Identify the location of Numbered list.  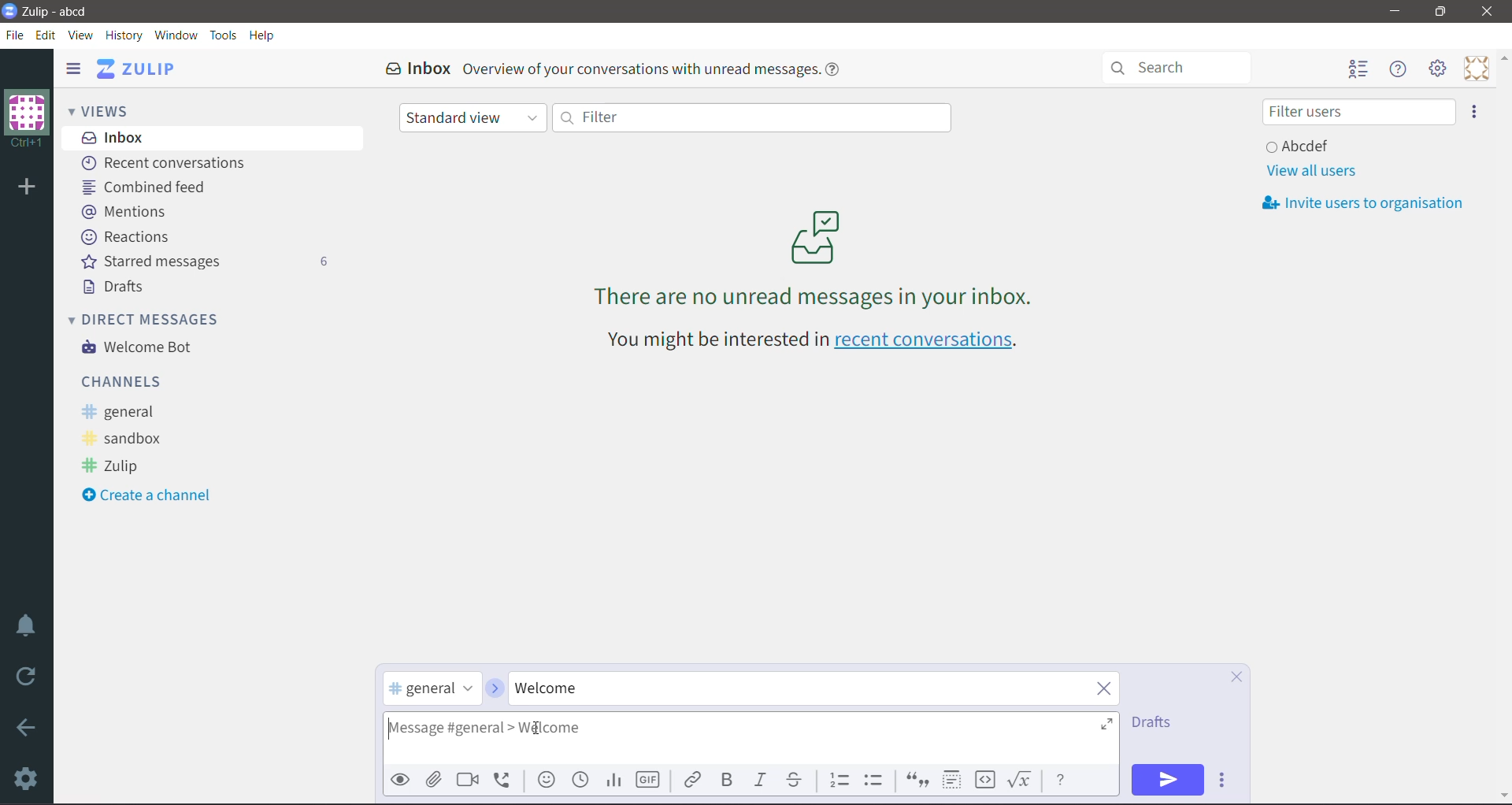
(839, 778).